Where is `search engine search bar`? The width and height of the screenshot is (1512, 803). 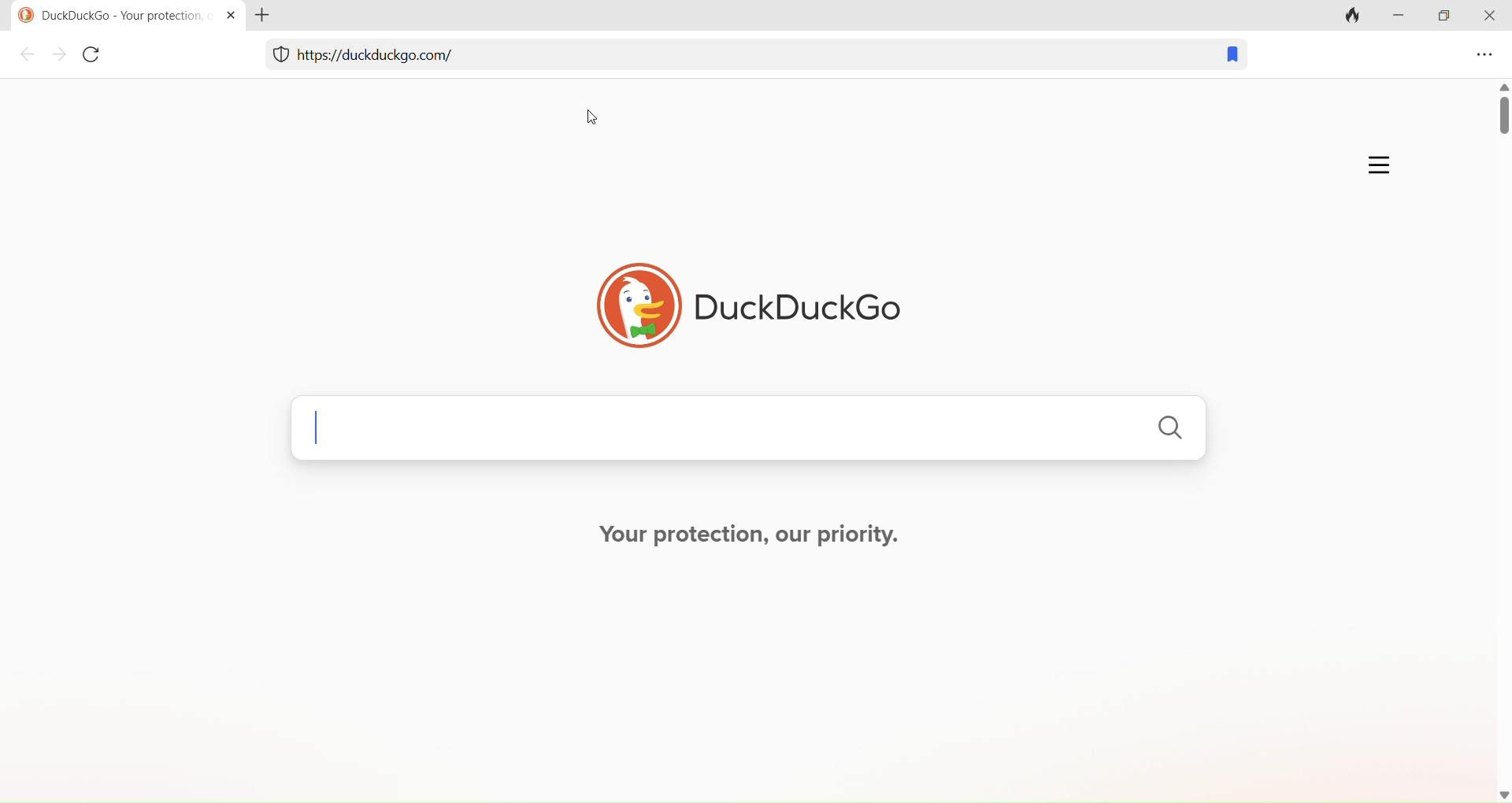
search engine search bar is located at coordinates (747, 432).